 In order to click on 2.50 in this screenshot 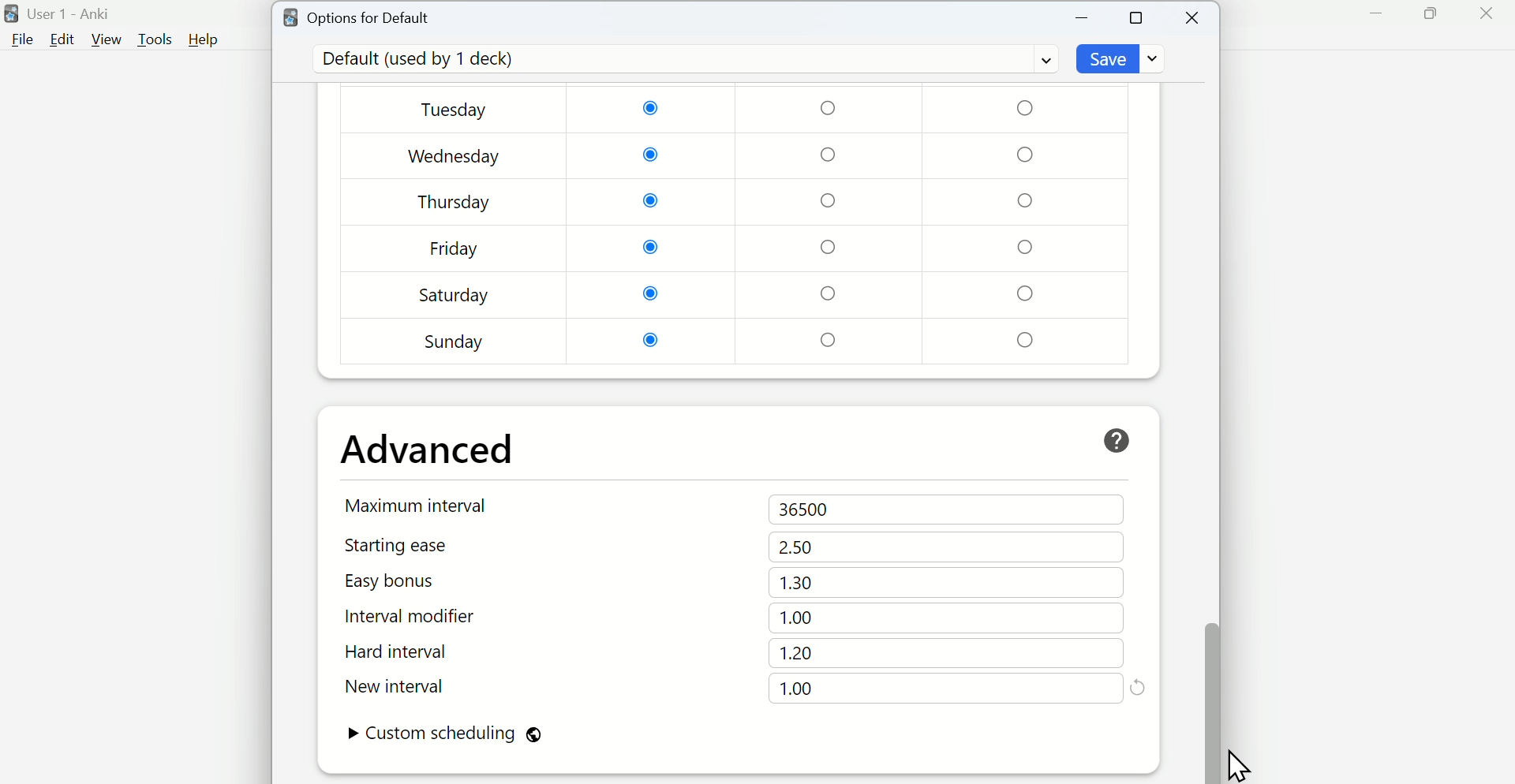, I will do `click(796, 547)`.